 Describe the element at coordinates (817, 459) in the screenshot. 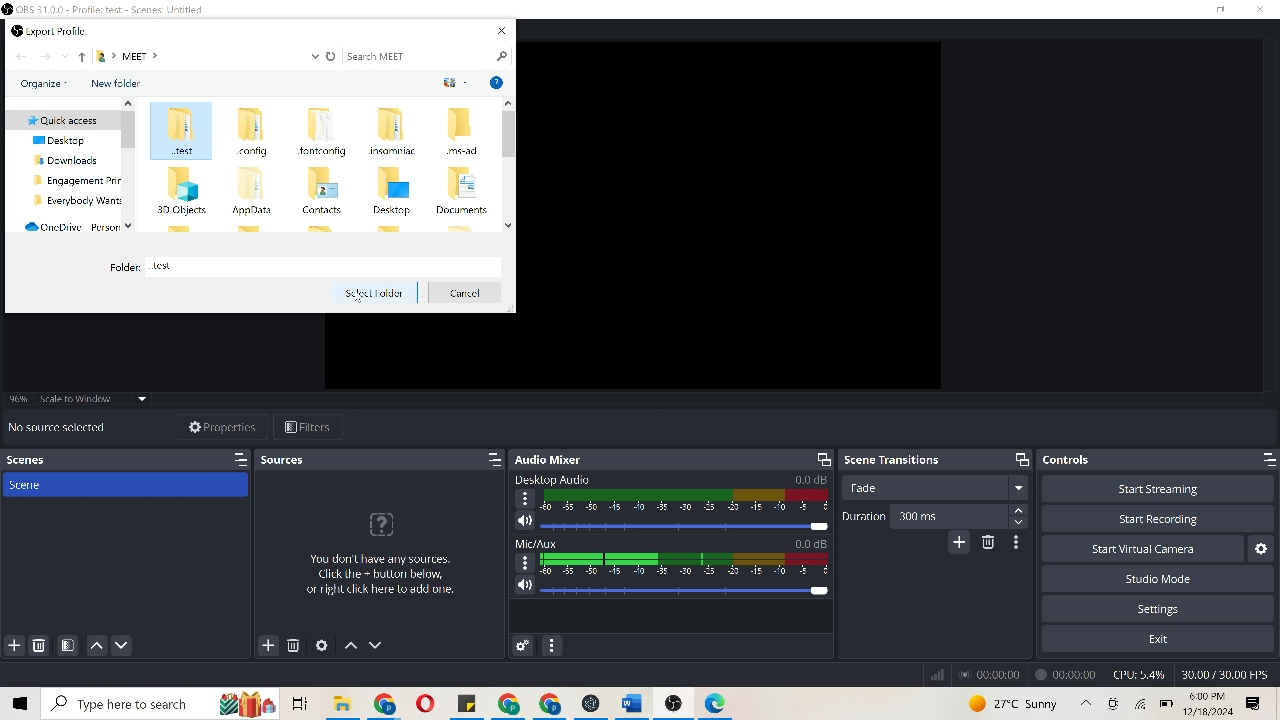

I see `screen resize` at that location.